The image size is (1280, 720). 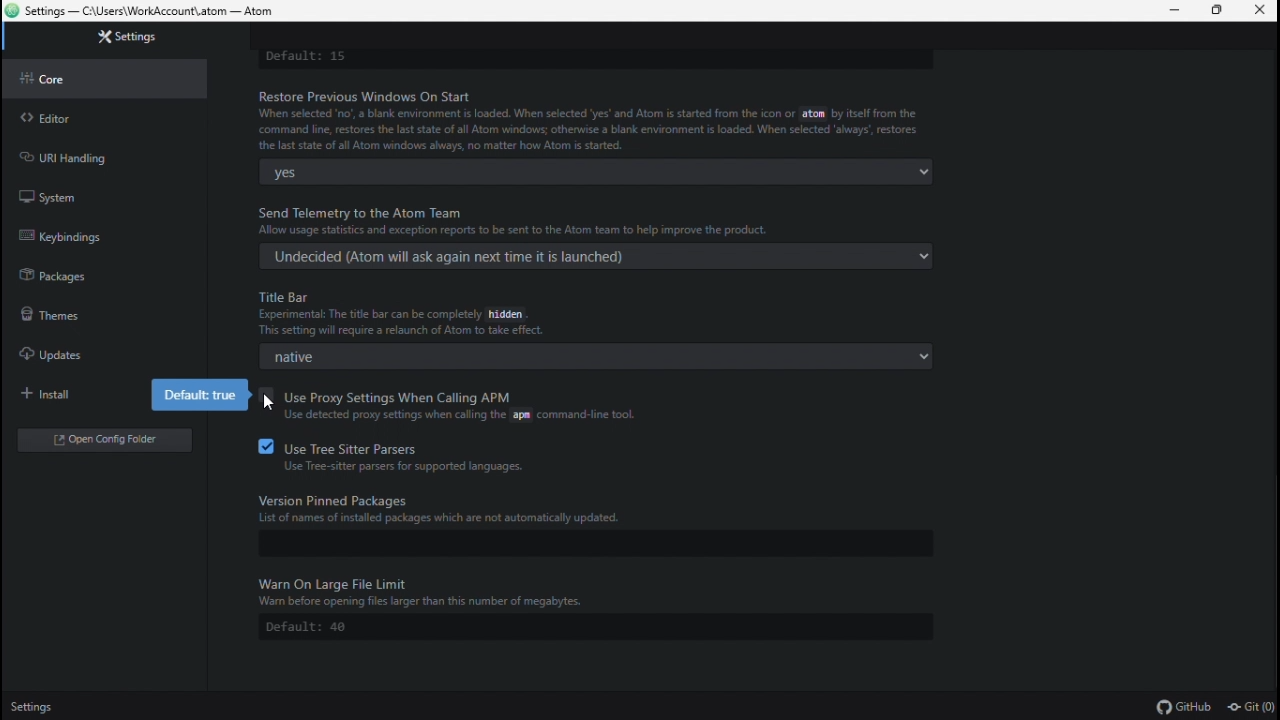 What do you see at coordinates (591, 255) in the screenshot?
I see `undecided` at bounding box center [591, 255].